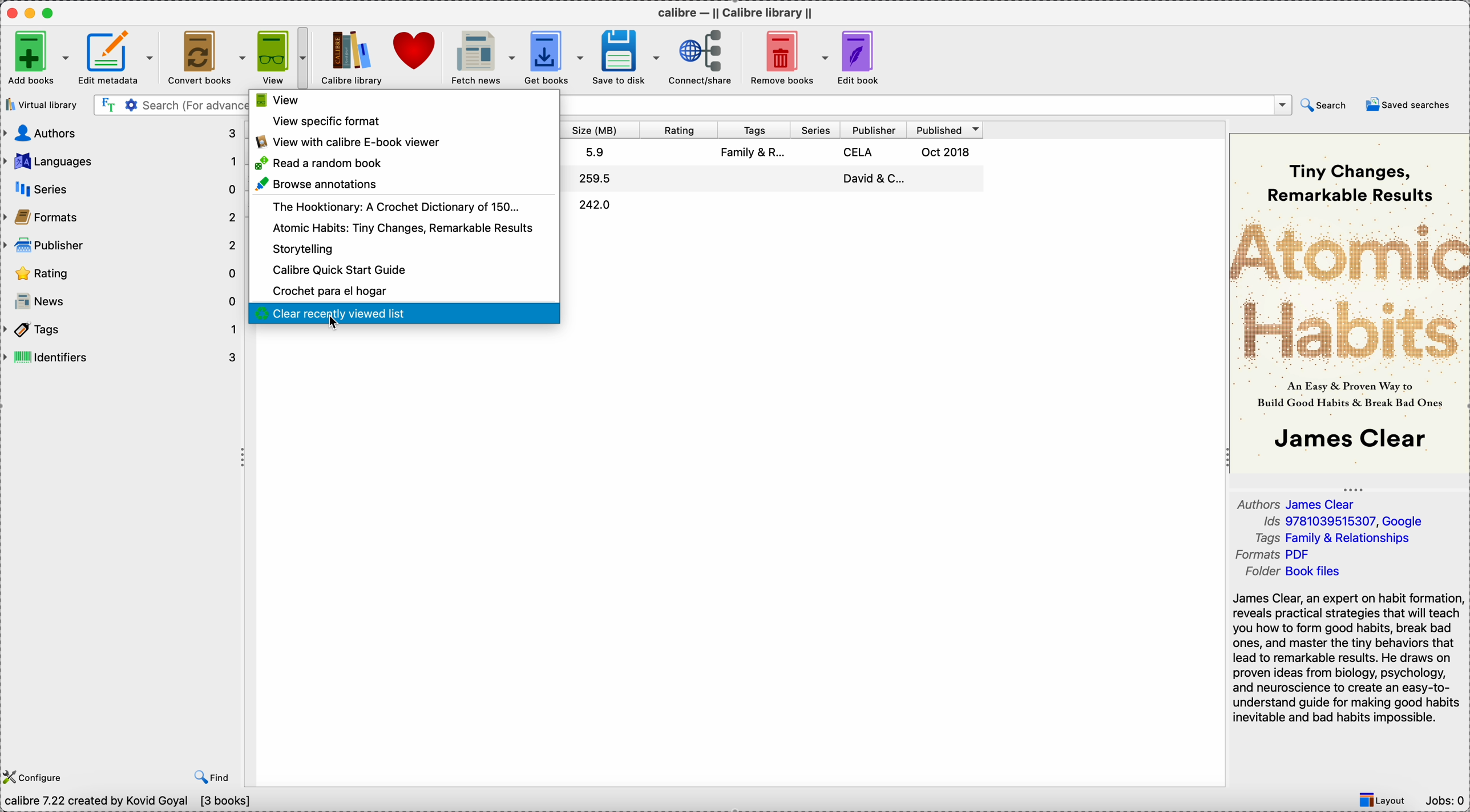  I want to click on languages, so click(120, 159).